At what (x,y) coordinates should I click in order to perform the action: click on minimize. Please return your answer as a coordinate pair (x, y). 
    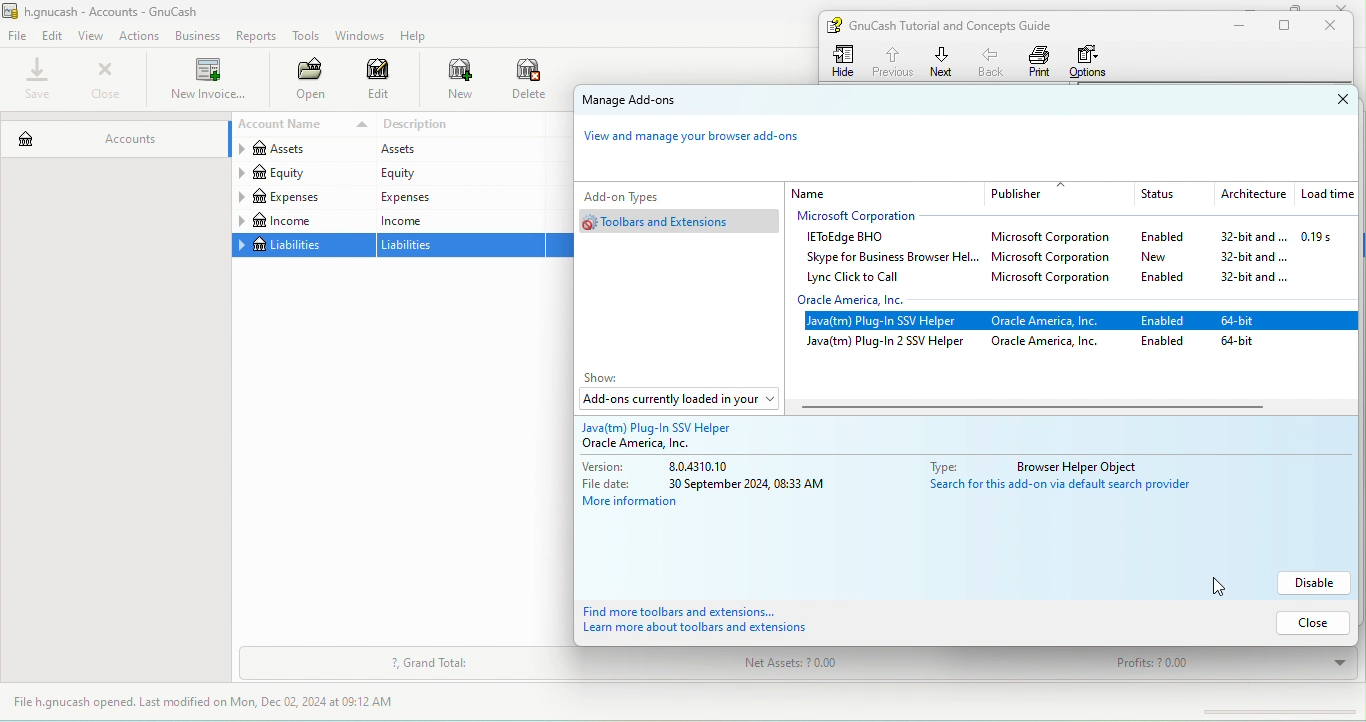
    Looking at the image, I should click on (1255, 5).